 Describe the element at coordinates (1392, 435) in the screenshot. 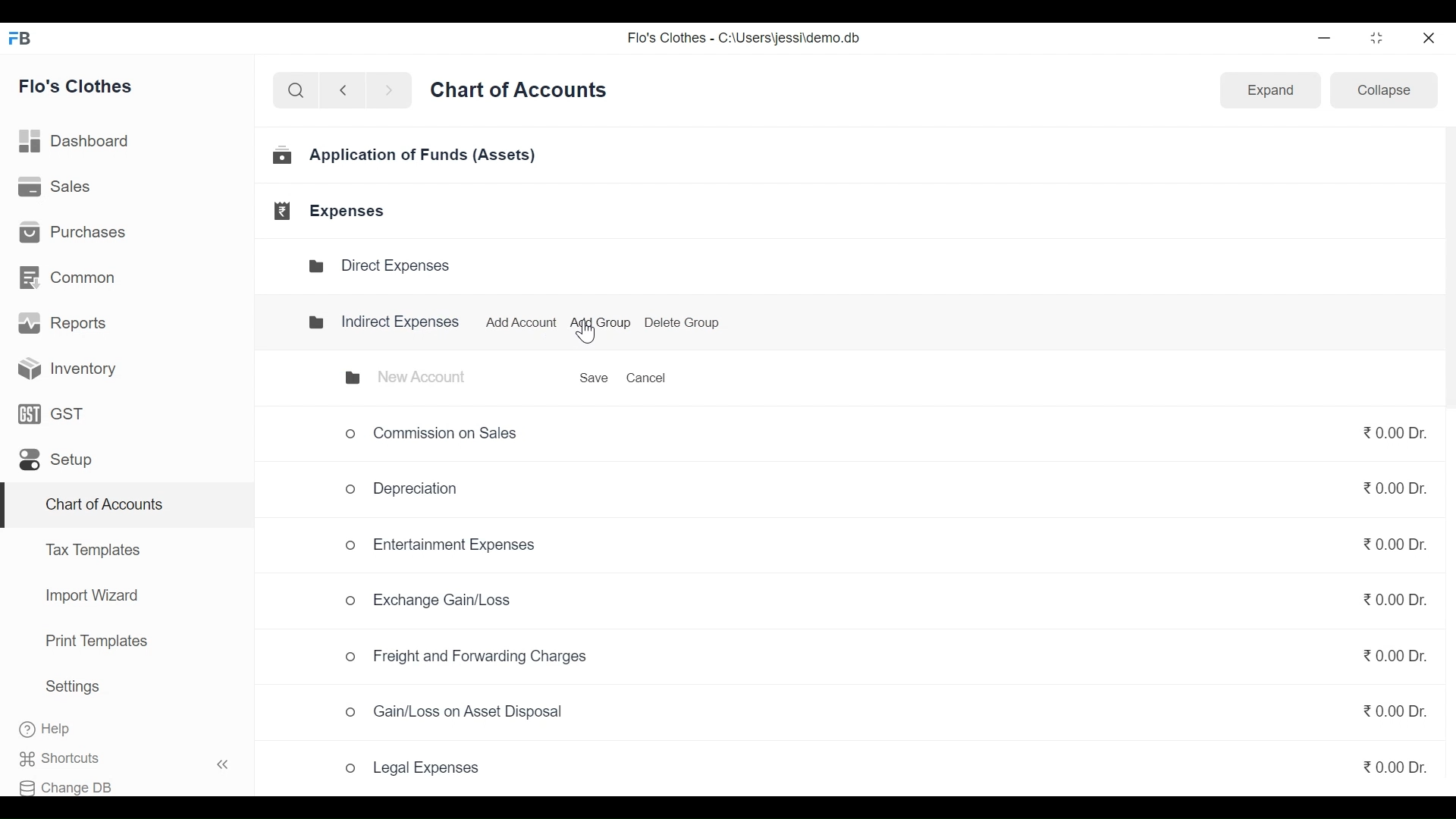

I see `₹0.00Dr.` at that location.